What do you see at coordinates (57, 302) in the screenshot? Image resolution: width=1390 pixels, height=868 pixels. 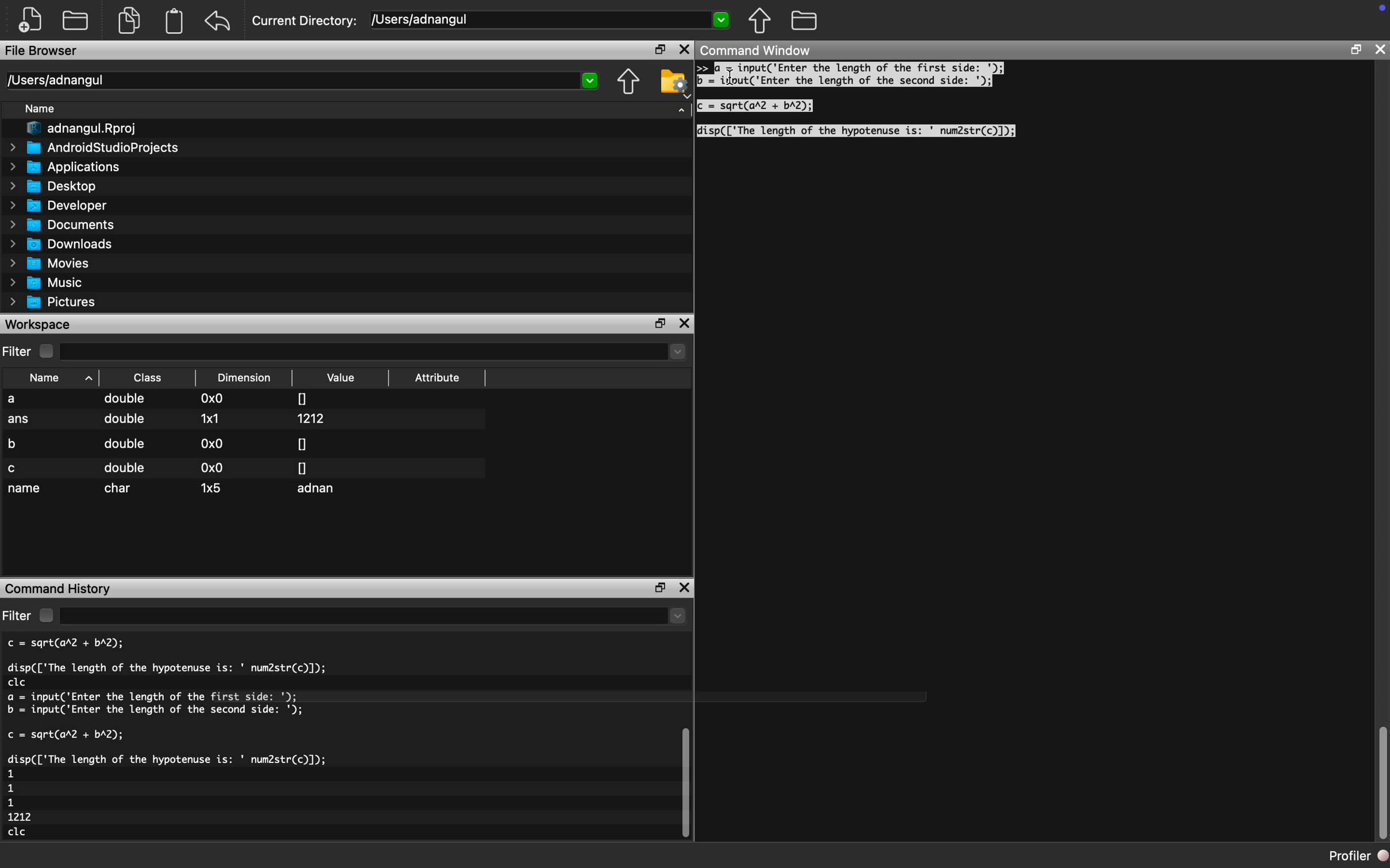 I see ` Pictures` at bounding box center [57, 302].